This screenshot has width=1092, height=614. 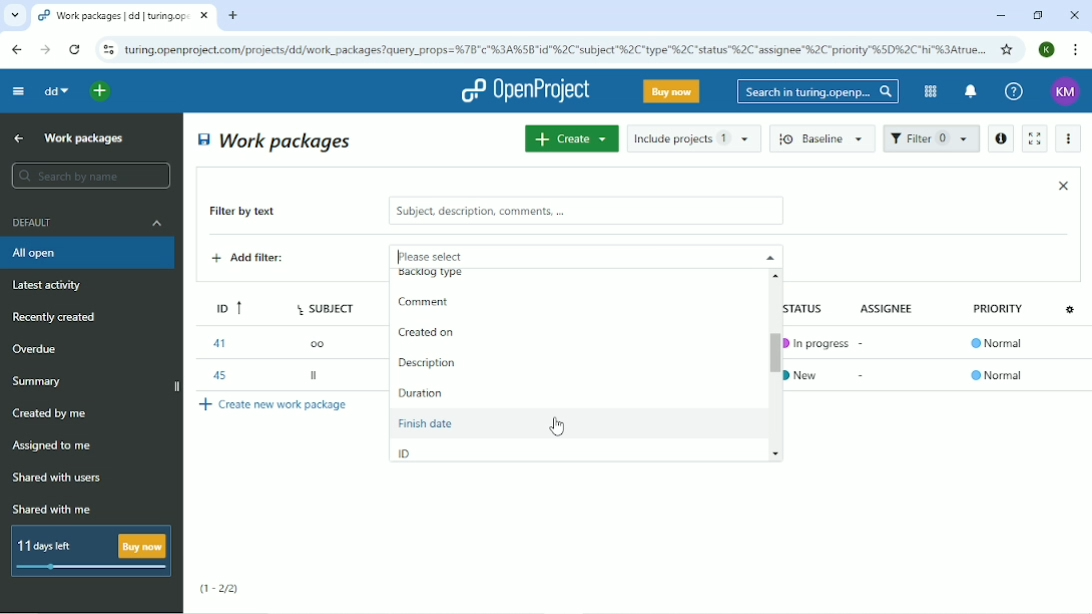 What do you see at coordinates (421, 304) in the screenshot?
I see `Comment` at bounding box center [421, 304].